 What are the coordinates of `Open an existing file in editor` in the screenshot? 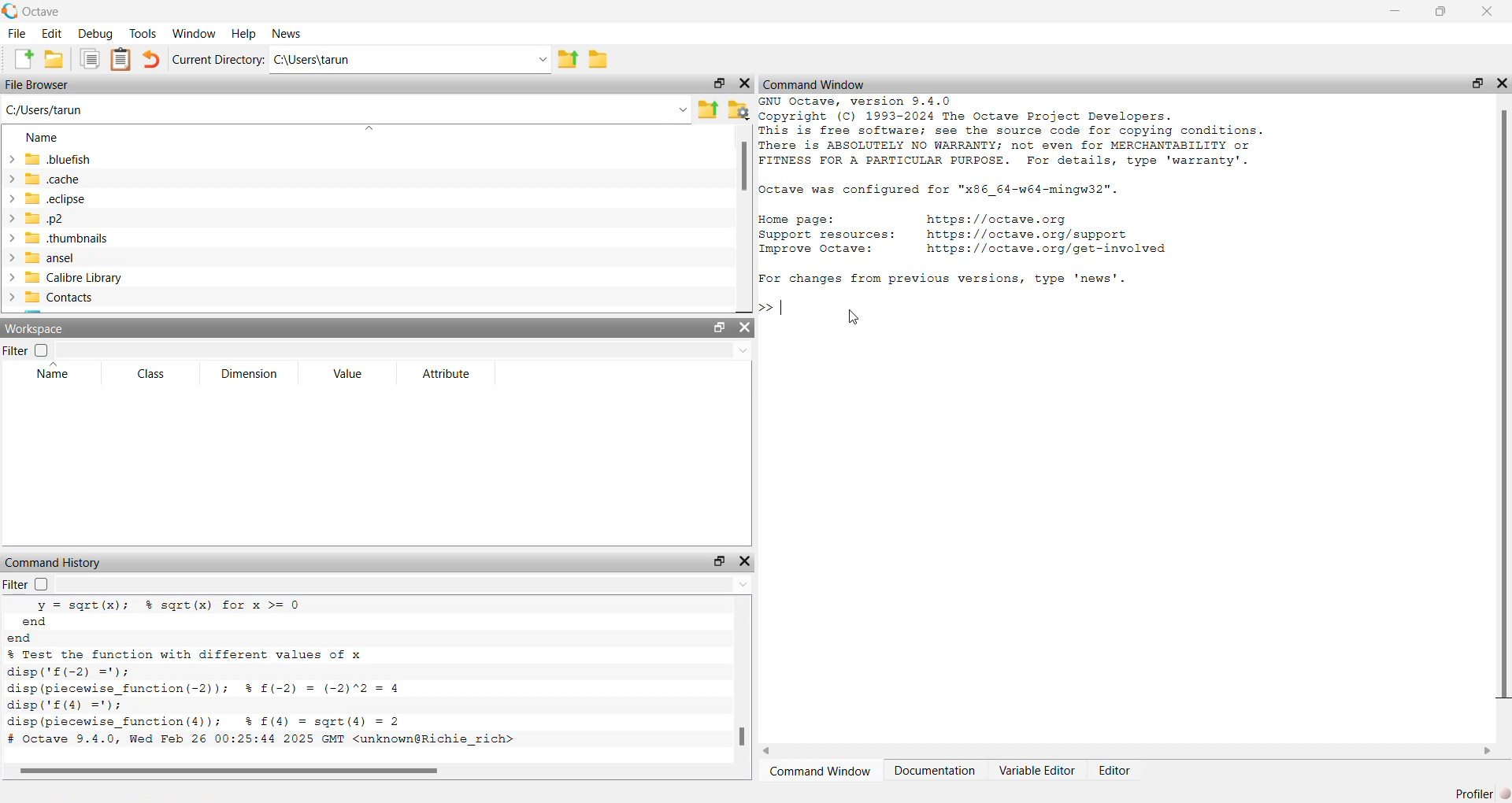 It's located at (55, 58).